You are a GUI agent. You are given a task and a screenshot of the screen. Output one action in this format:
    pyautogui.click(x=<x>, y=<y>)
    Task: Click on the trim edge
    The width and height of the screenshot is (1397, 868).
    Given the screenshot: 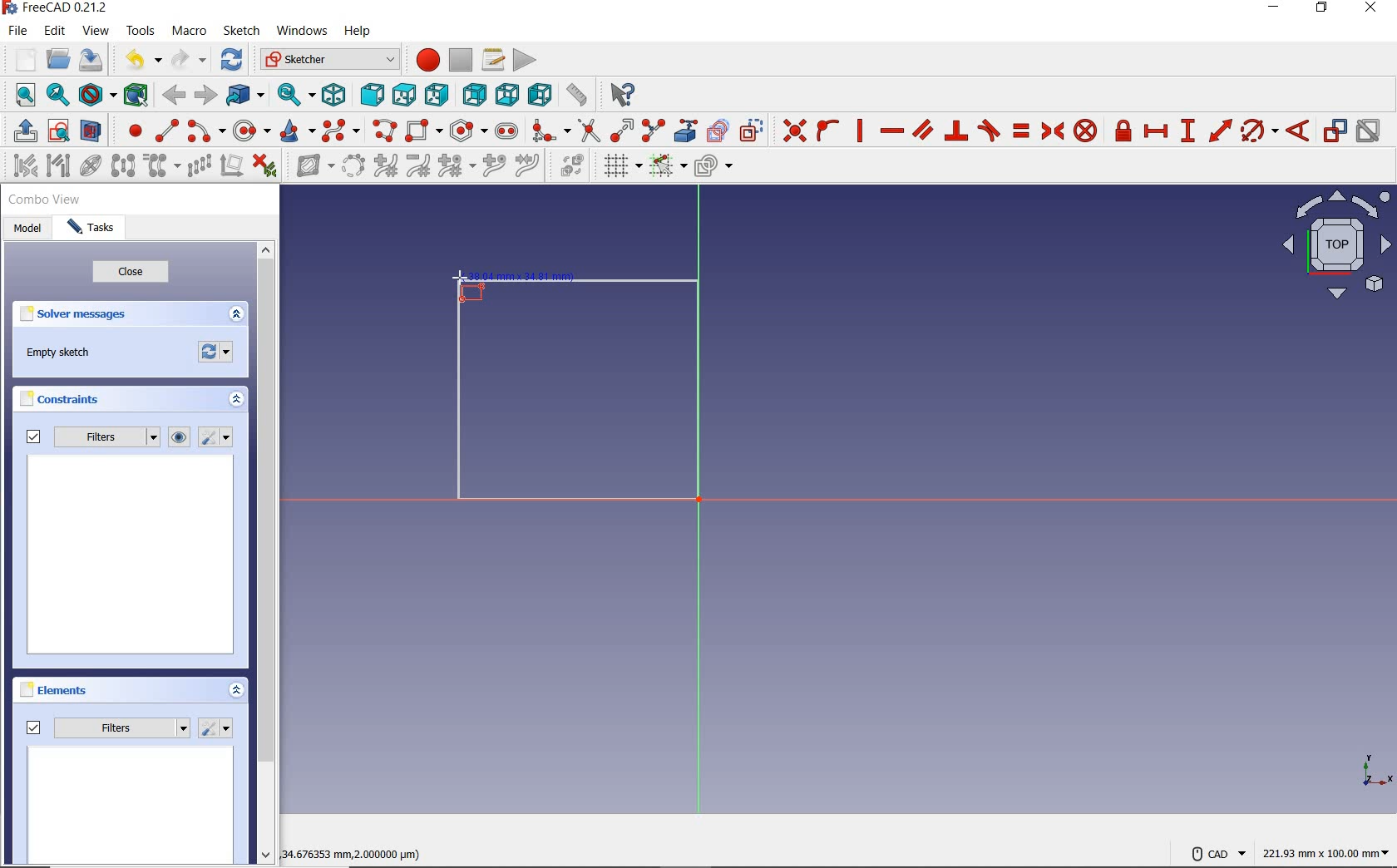 What is the action you would take?
    pyautogui.click(x=588, y=131)
    